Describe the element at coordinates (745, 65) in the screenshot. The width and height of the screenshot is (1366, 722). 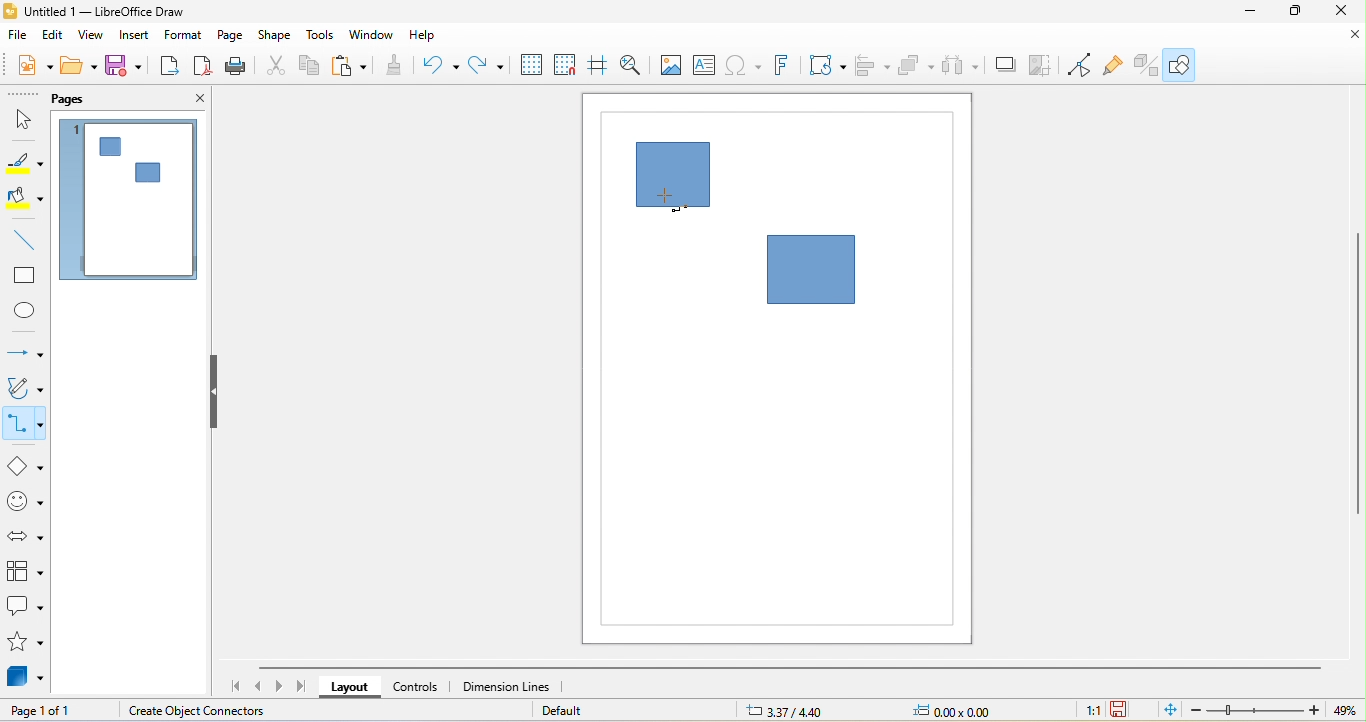
I see `special character` at that location.